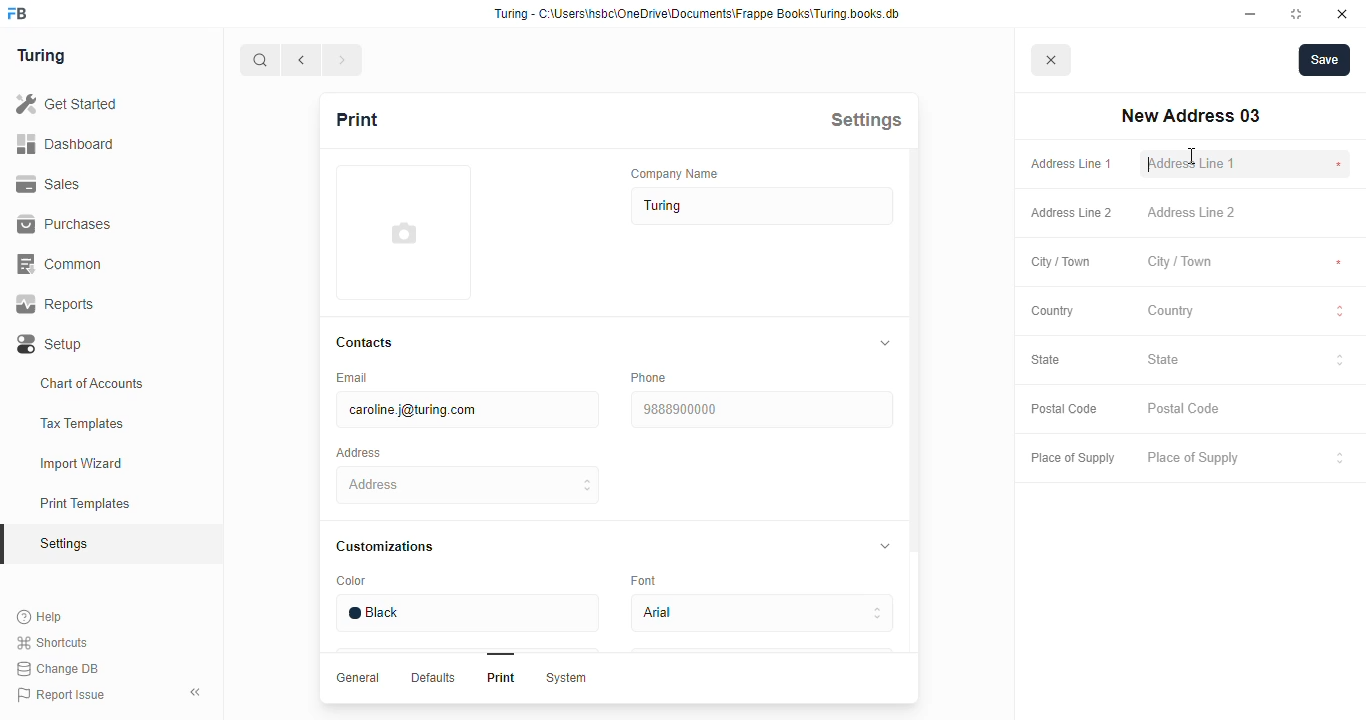  What do you see at coordinates (866, 119) in the screenshot?
I see `settings` at bounding box center [866, 119].